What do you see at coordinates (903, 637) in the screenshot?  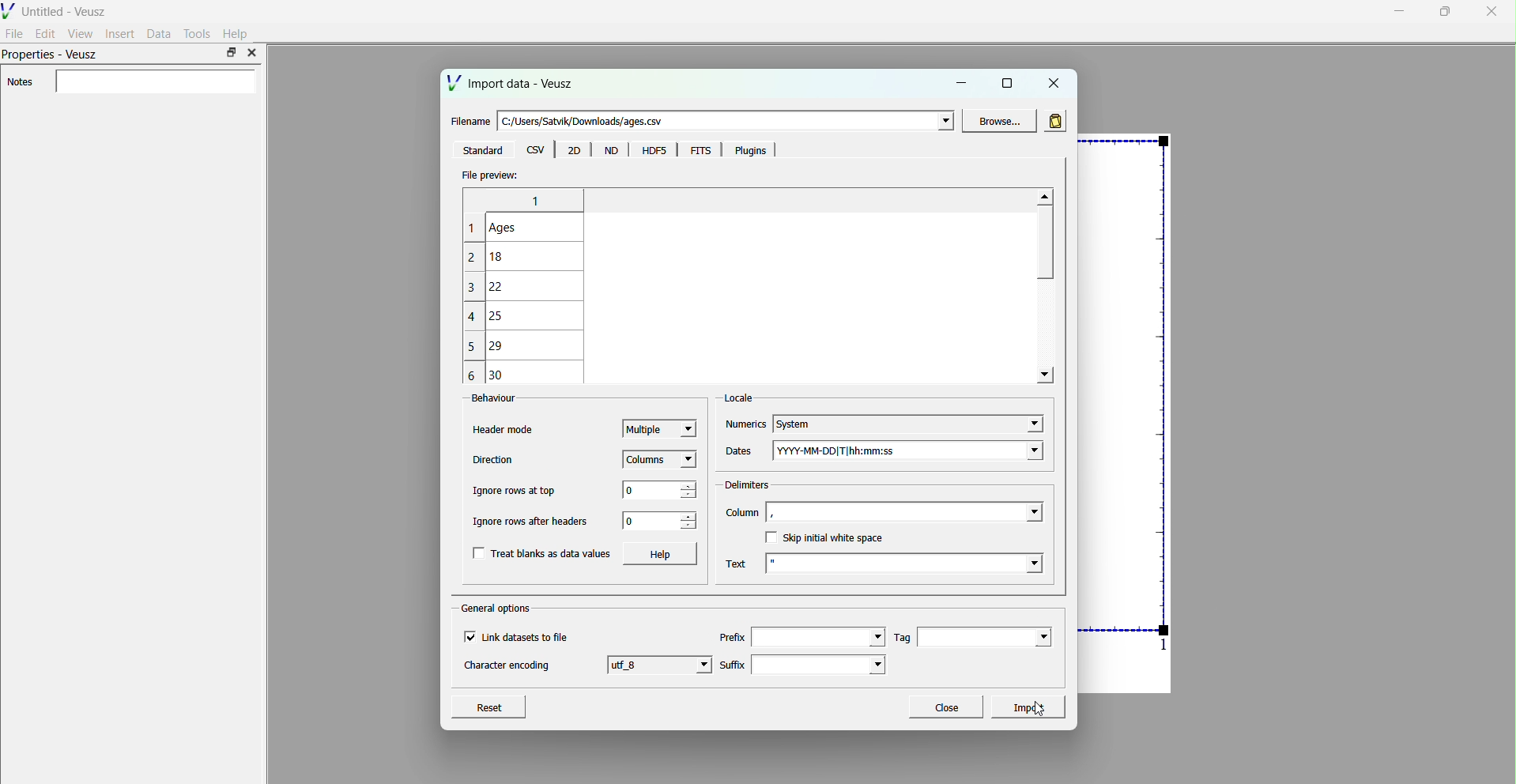 I see `Tag` at bounding box center [903, 637].